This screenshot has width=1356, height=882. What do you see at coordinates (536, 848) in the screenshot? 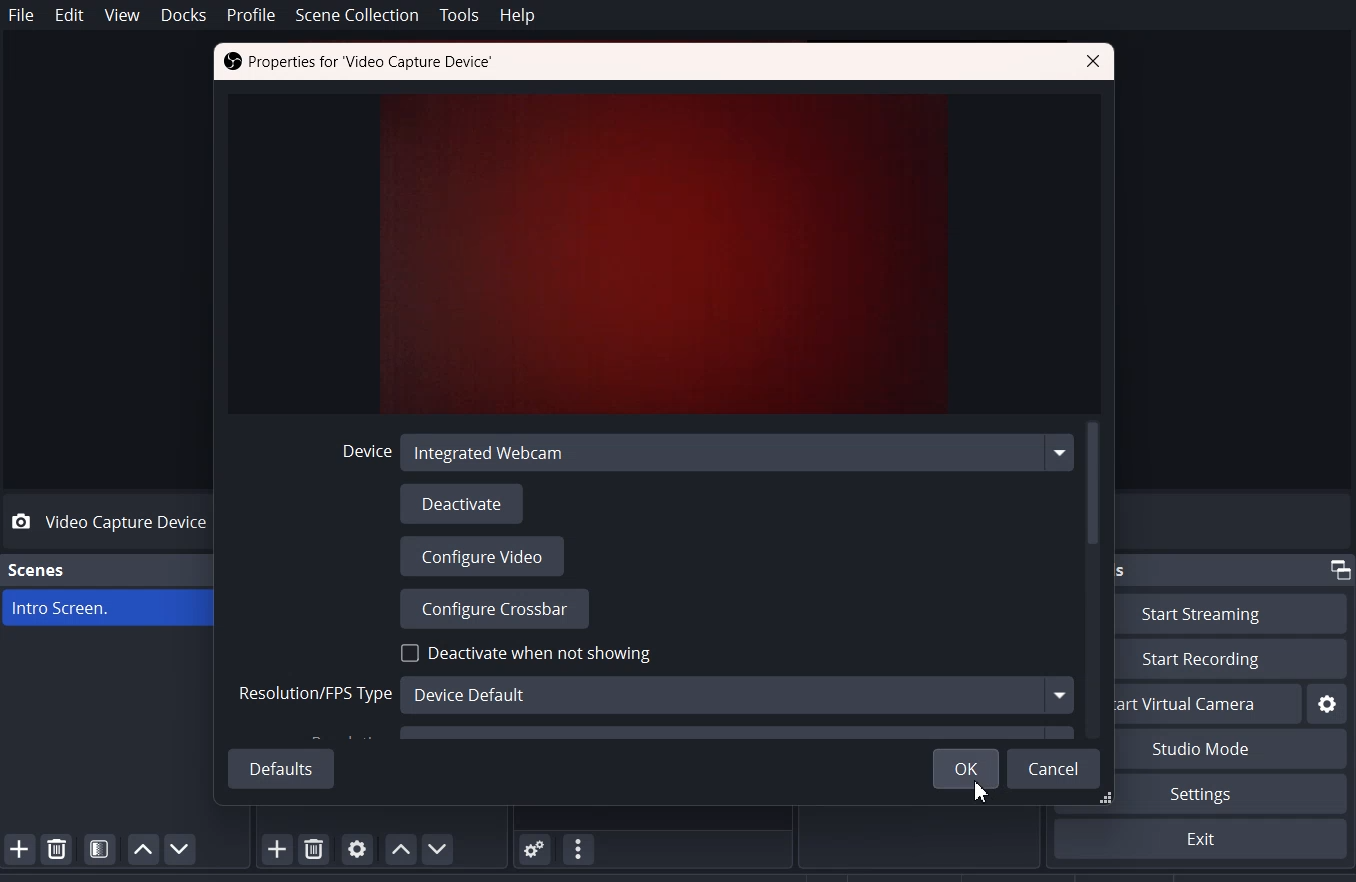
I see `Advance audio properties` at bounding box center [536, 848].